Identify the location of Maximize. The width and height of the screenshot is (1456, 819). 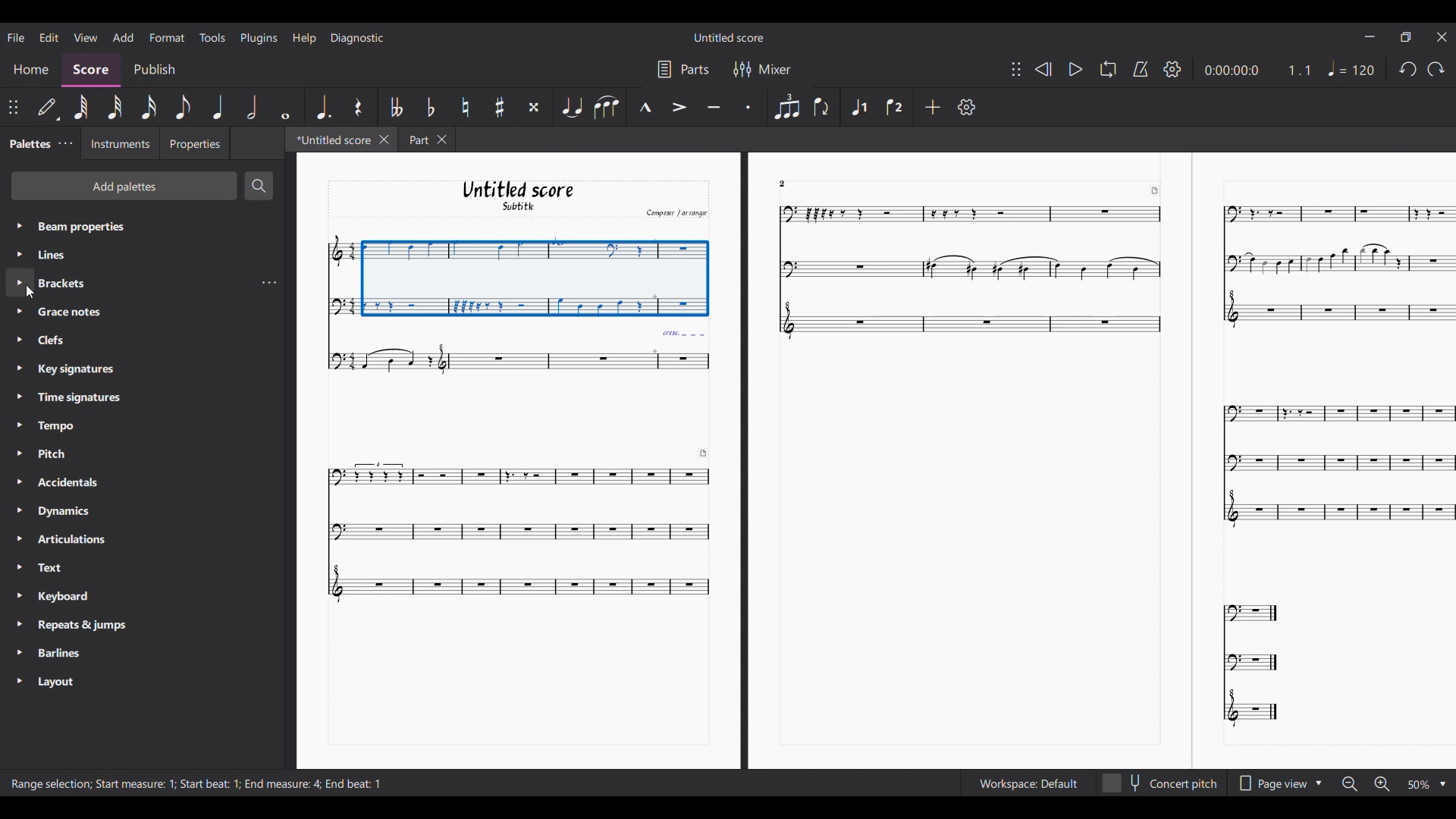
(1406, 39).